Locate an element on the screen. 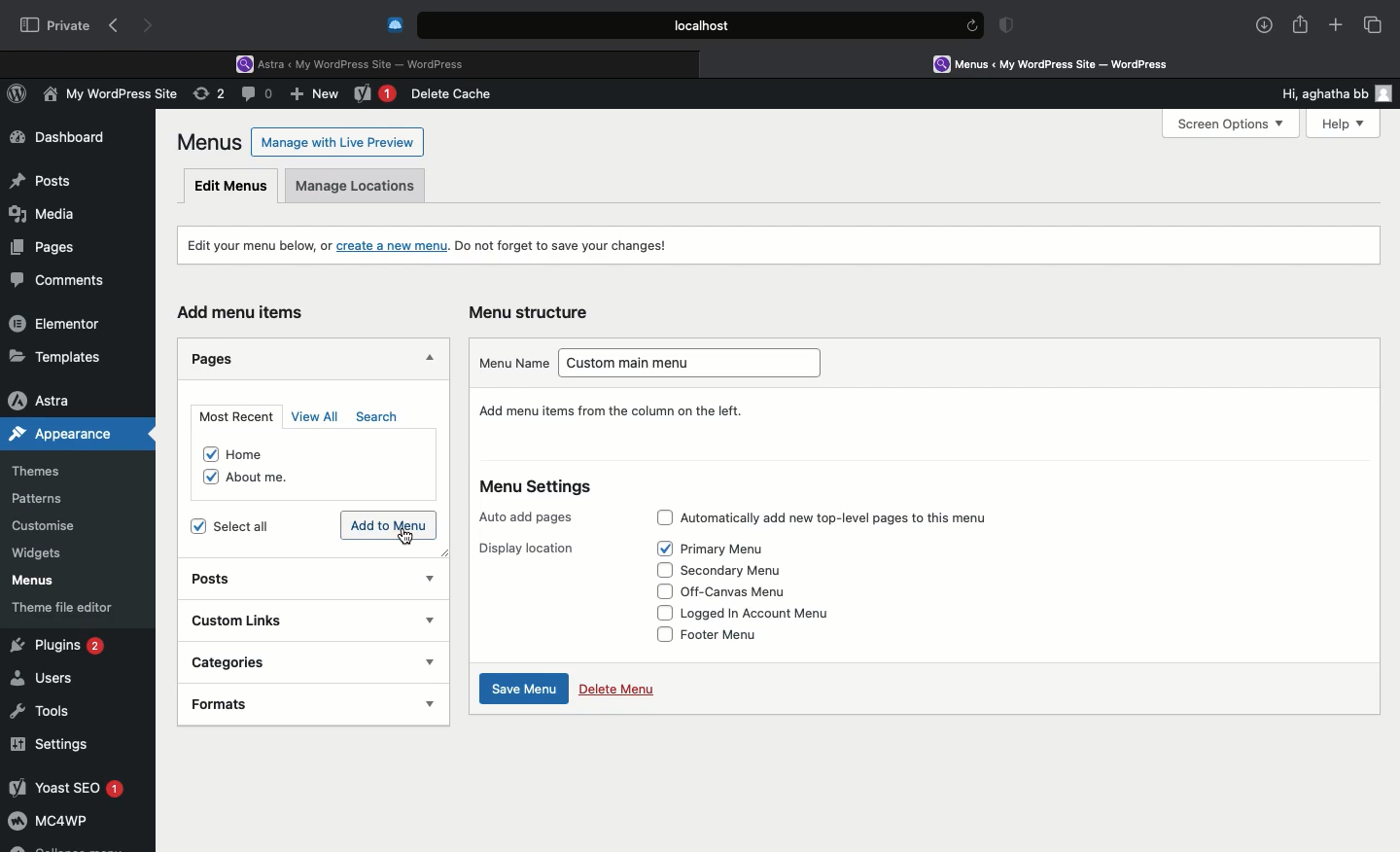  Do not forget to save your changes! is located at coordinates (565, 246).